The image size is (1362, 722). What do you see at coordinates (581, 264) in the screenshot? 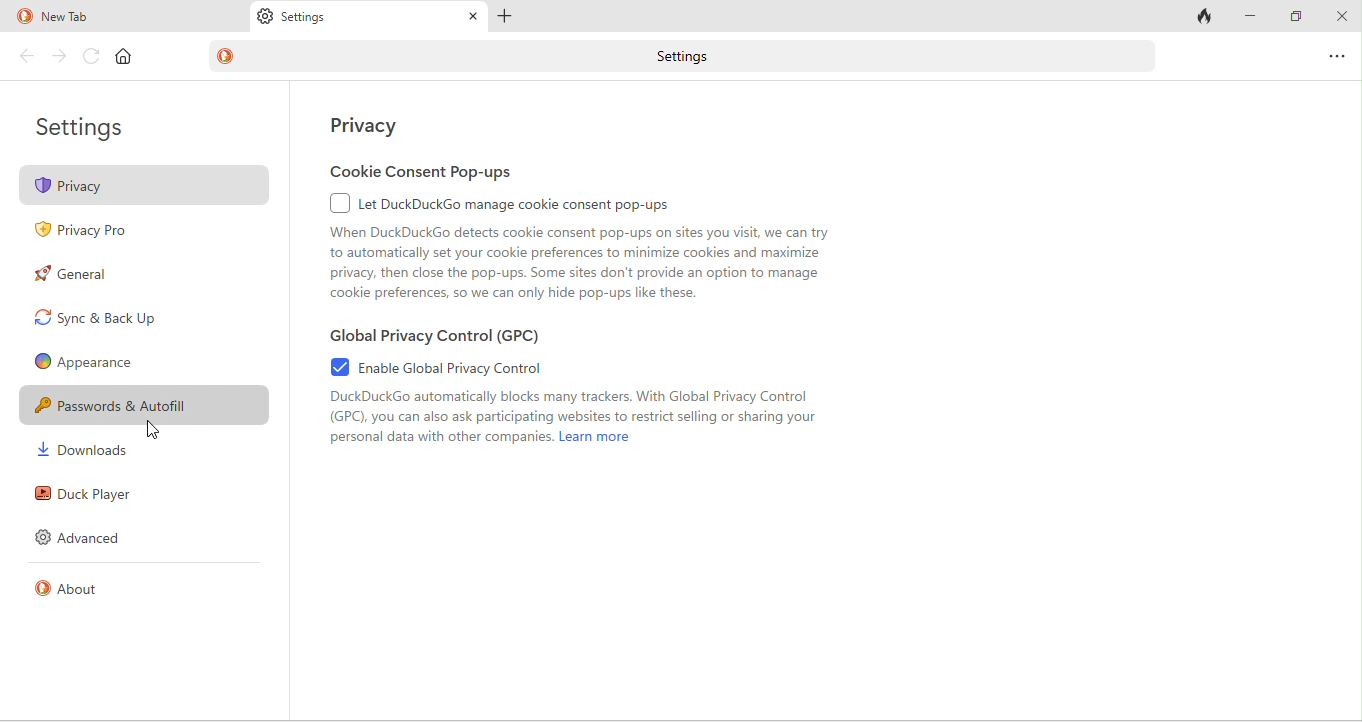
I see `when duckduck go detects cookie consent pop ups on sites you visit we can try to  automatically set your cookie preferences to minimize cookies and maximize privacy ,then close the pop ups . some sites don't provide an option to manage cookie preferences, so we can only hide pop ups like these.` at bounding box center [581, 264].